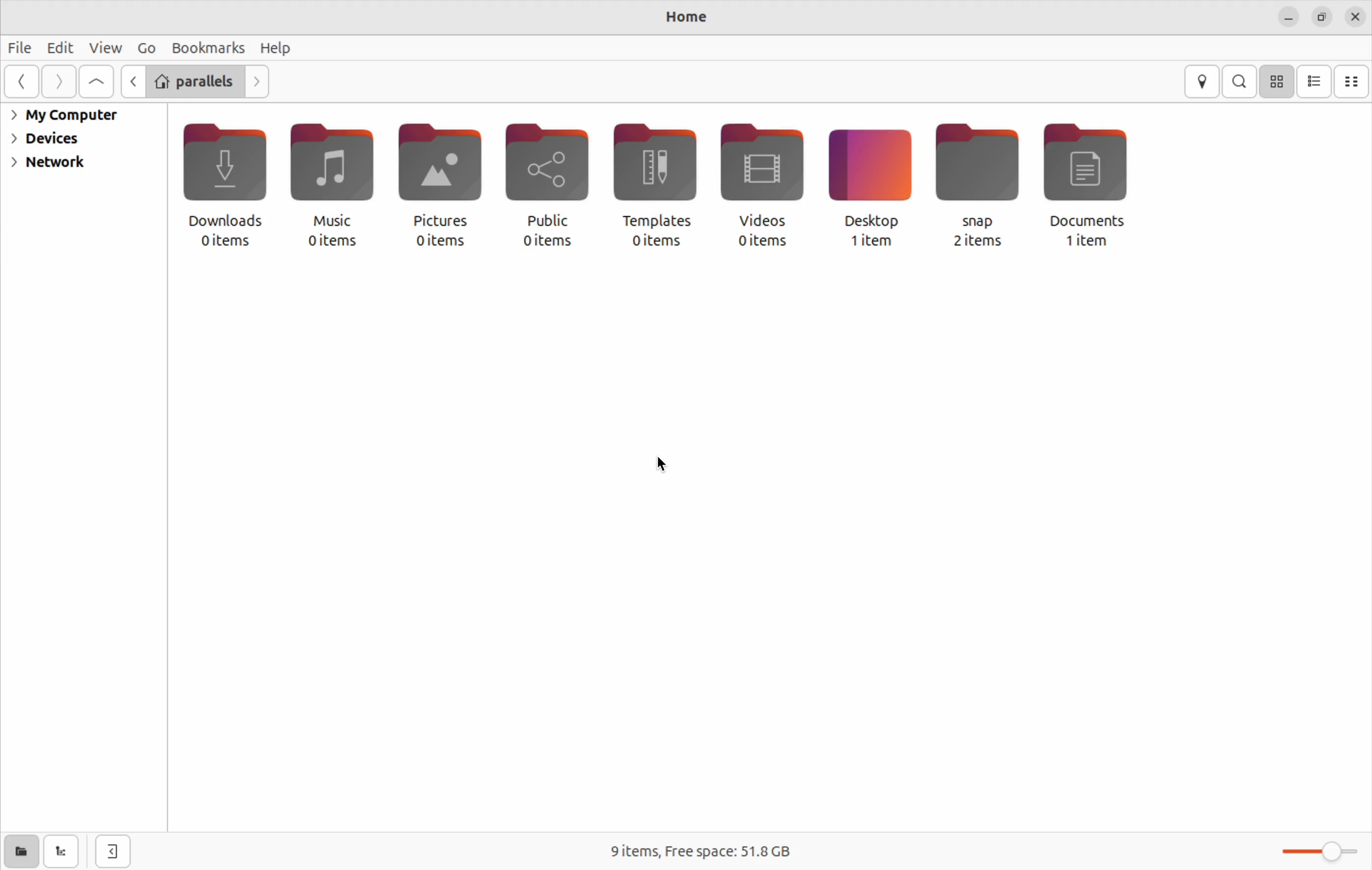 The width and height of the screenshot is (1372, 870). I want to click on documents 1 item, so click(1087, 186).